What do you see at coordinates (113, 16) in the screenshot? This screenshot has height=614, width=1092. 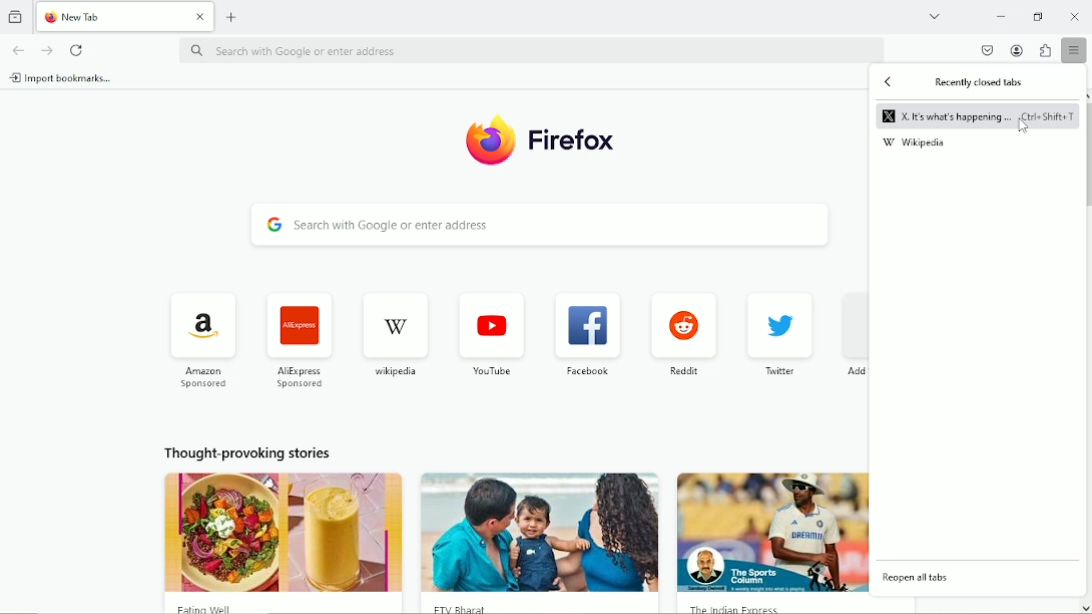 I see `New Tab` at bounding box center [113, 16].